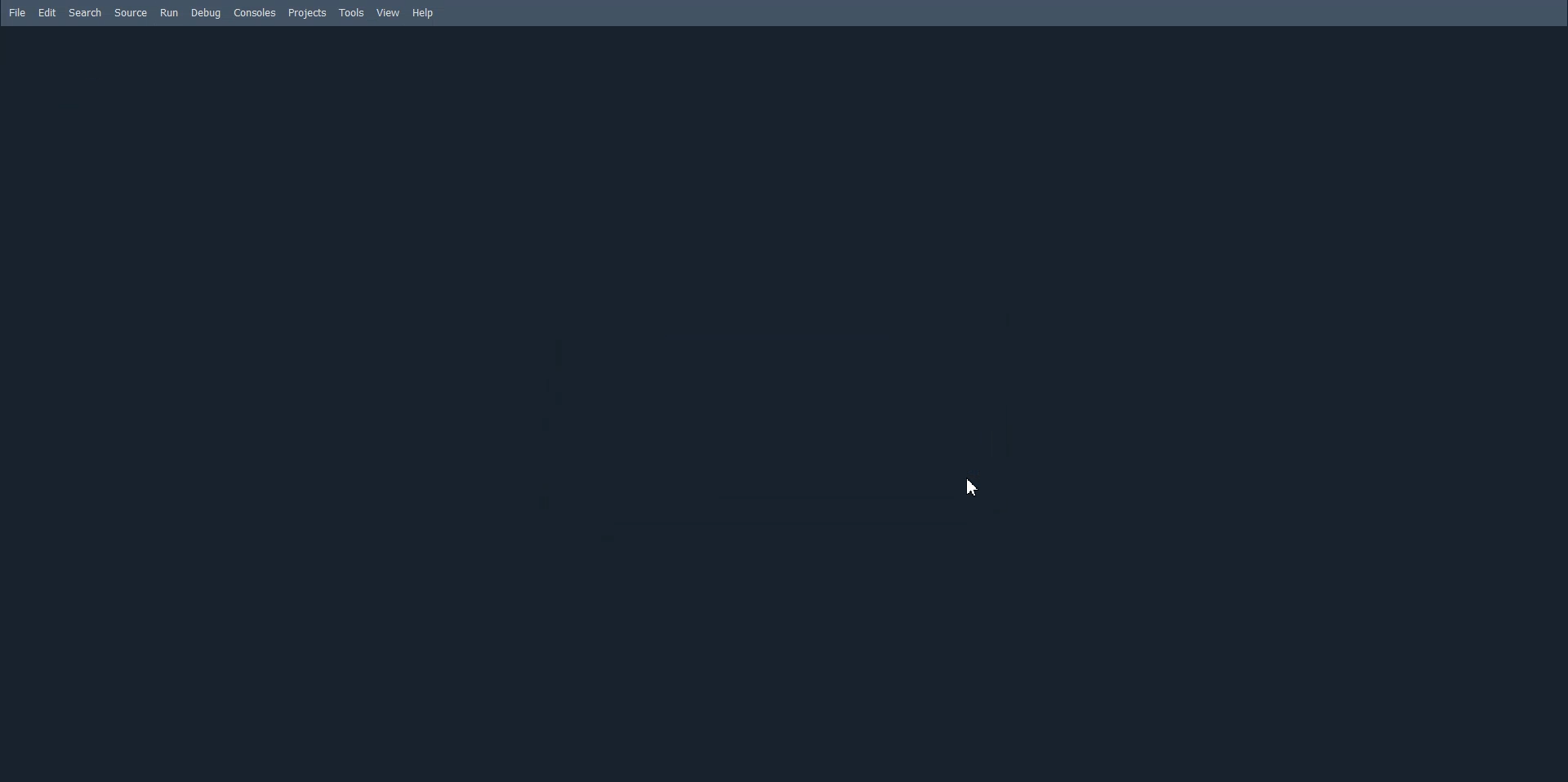 This screenshot has height=782, width=1568. Describe the element at coordinates (85, 12) in the screenshot. I see `Search` at that location.